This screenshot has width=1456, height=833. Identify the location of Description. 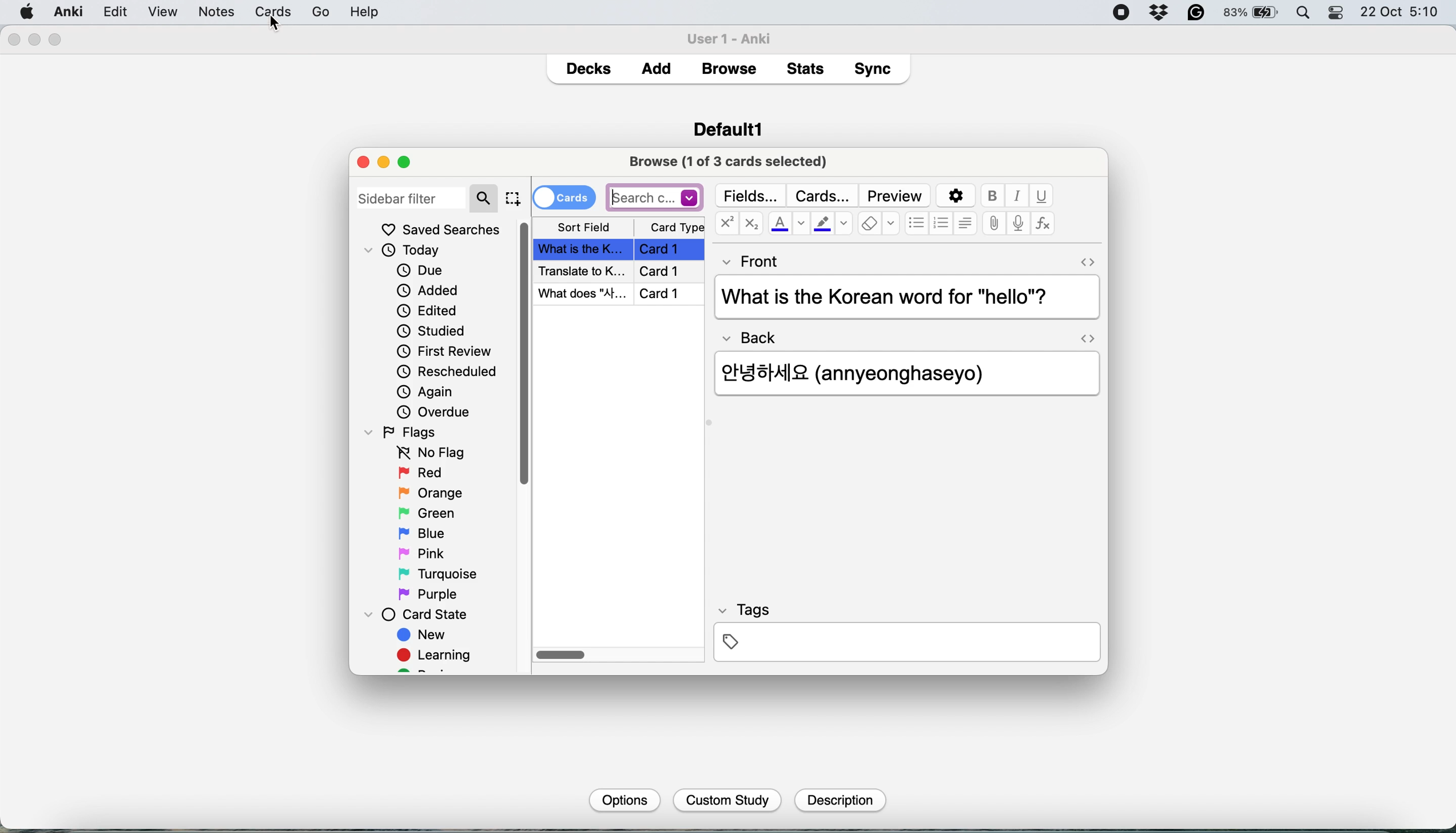
(838, 800).